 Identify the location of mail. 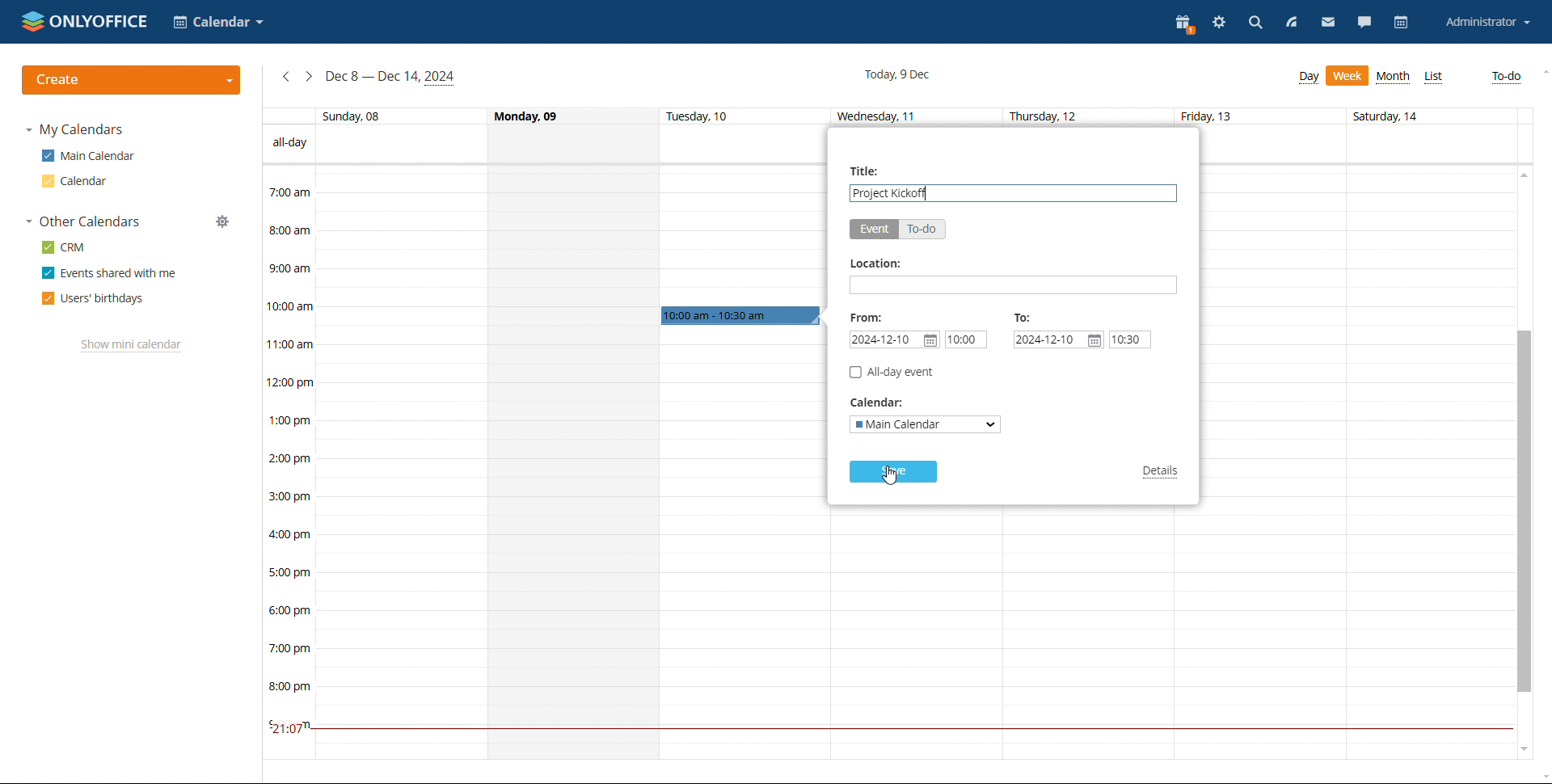
(1327, 23).